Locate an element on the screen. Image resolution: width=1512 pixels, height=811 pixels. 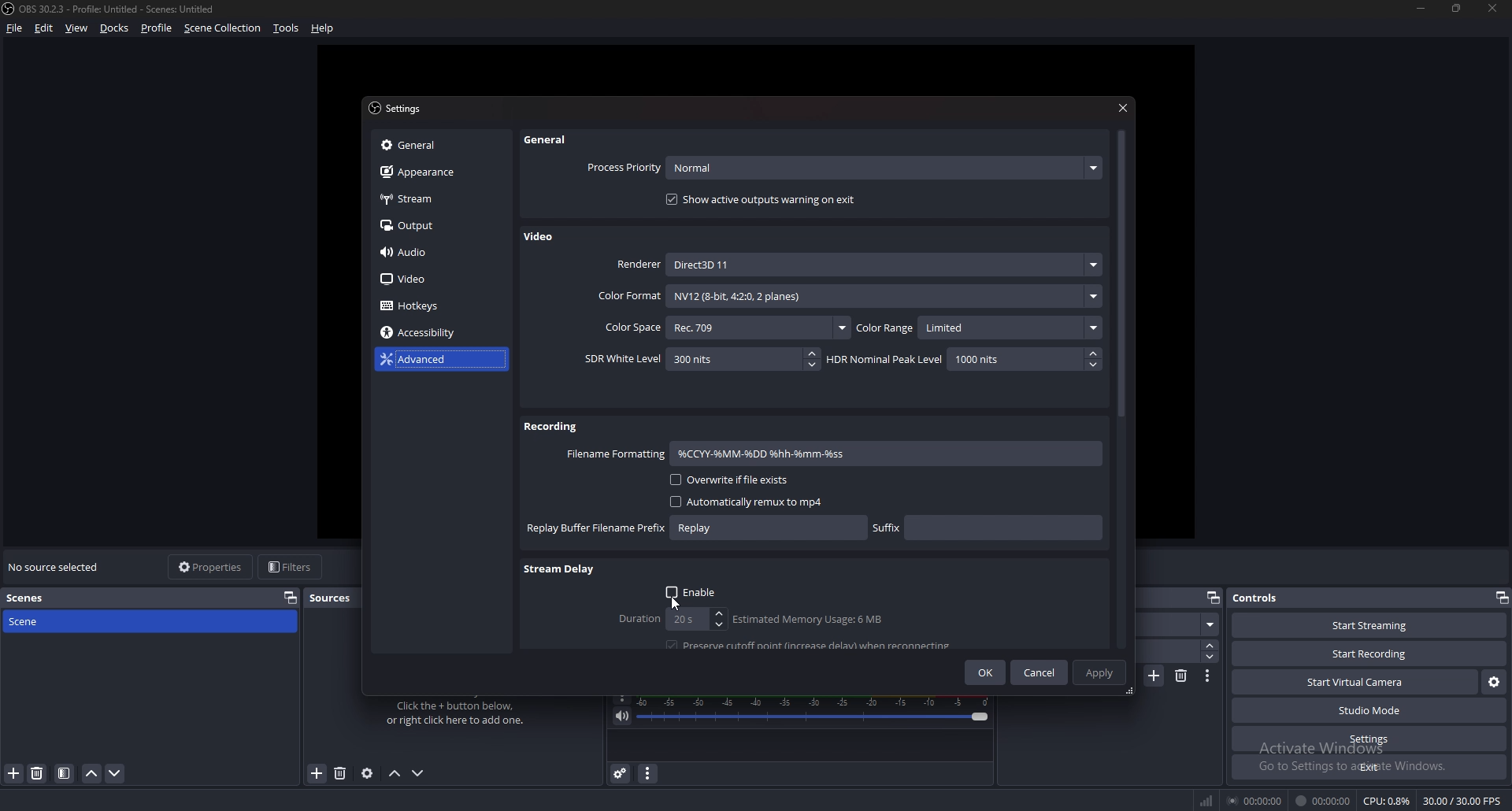
fade is located at coordinates (1177, 624).